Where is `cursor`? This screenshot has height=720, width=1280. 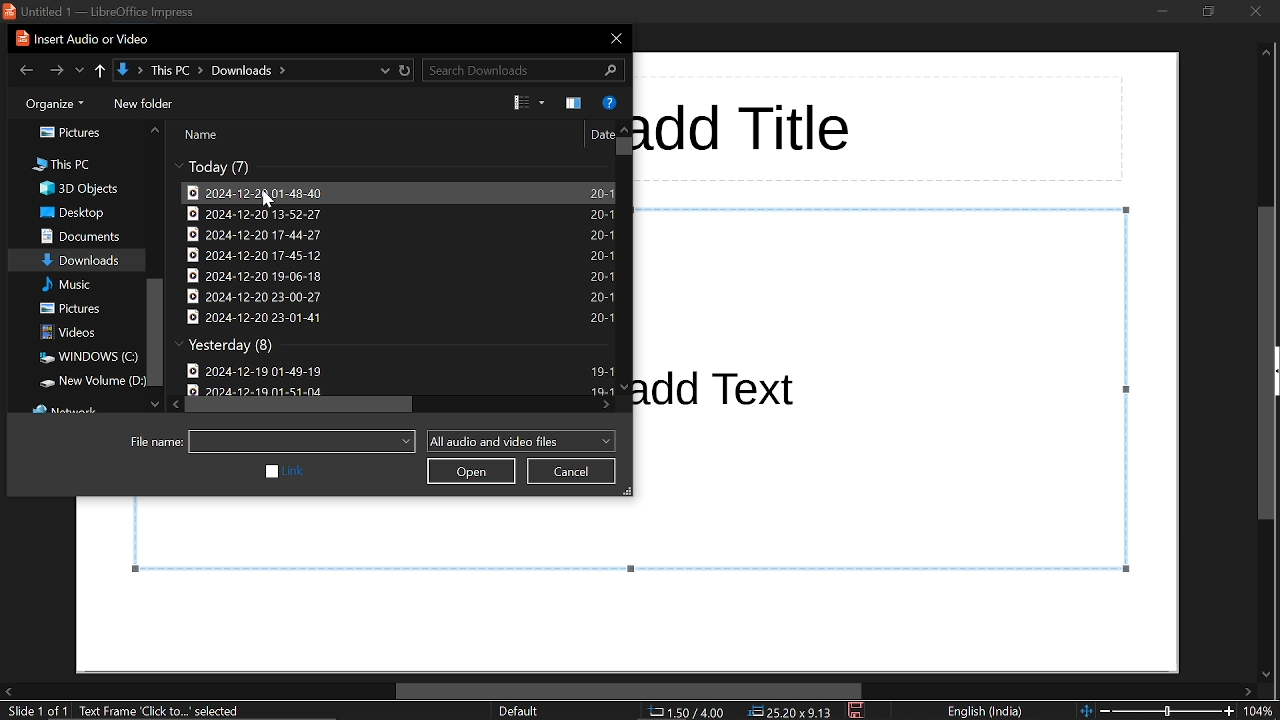 cursor is located at coordinates (268, 203).